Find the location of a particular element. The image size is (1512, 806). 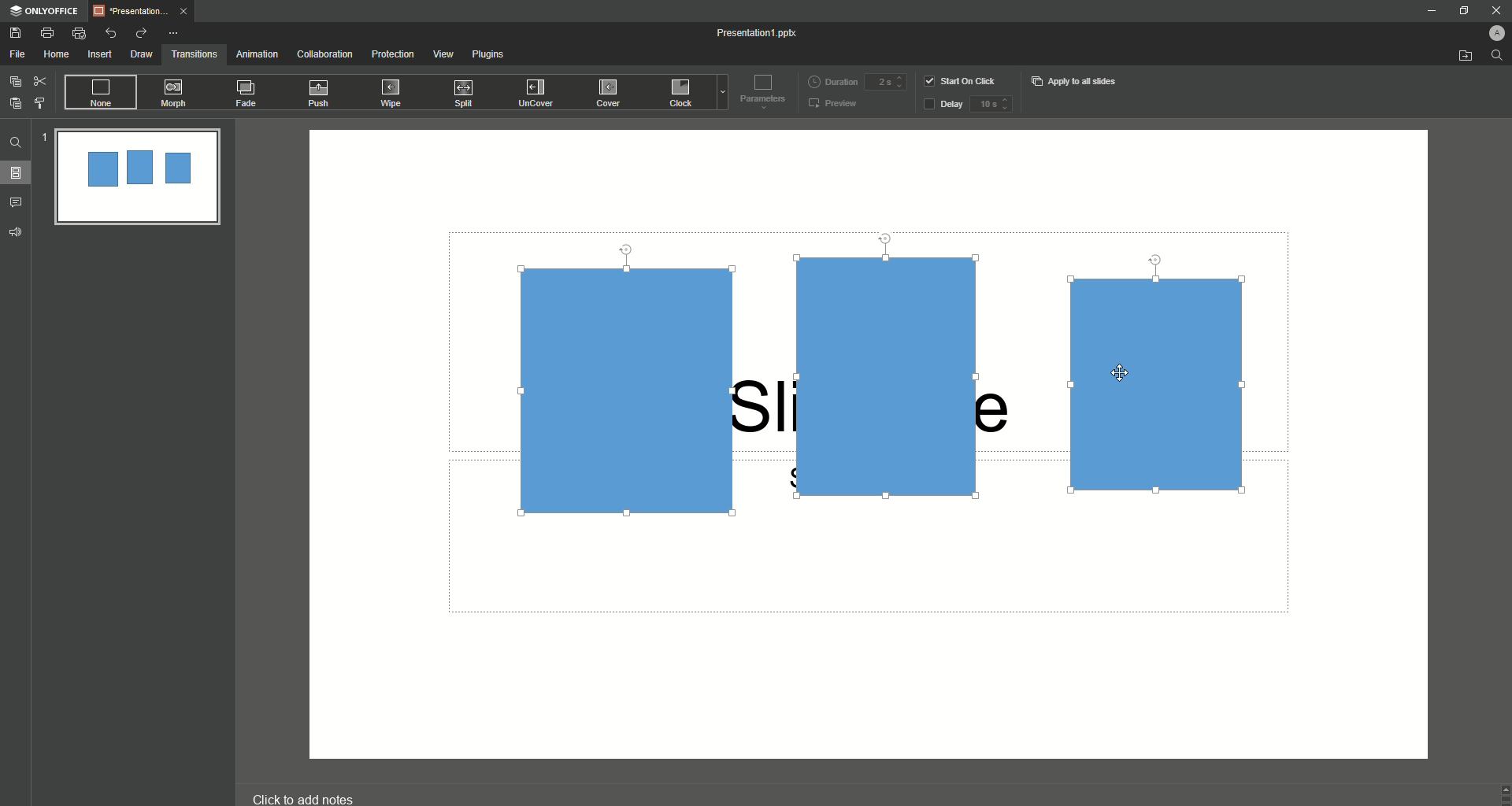

Quick Print is located at coordinates (80, 34).